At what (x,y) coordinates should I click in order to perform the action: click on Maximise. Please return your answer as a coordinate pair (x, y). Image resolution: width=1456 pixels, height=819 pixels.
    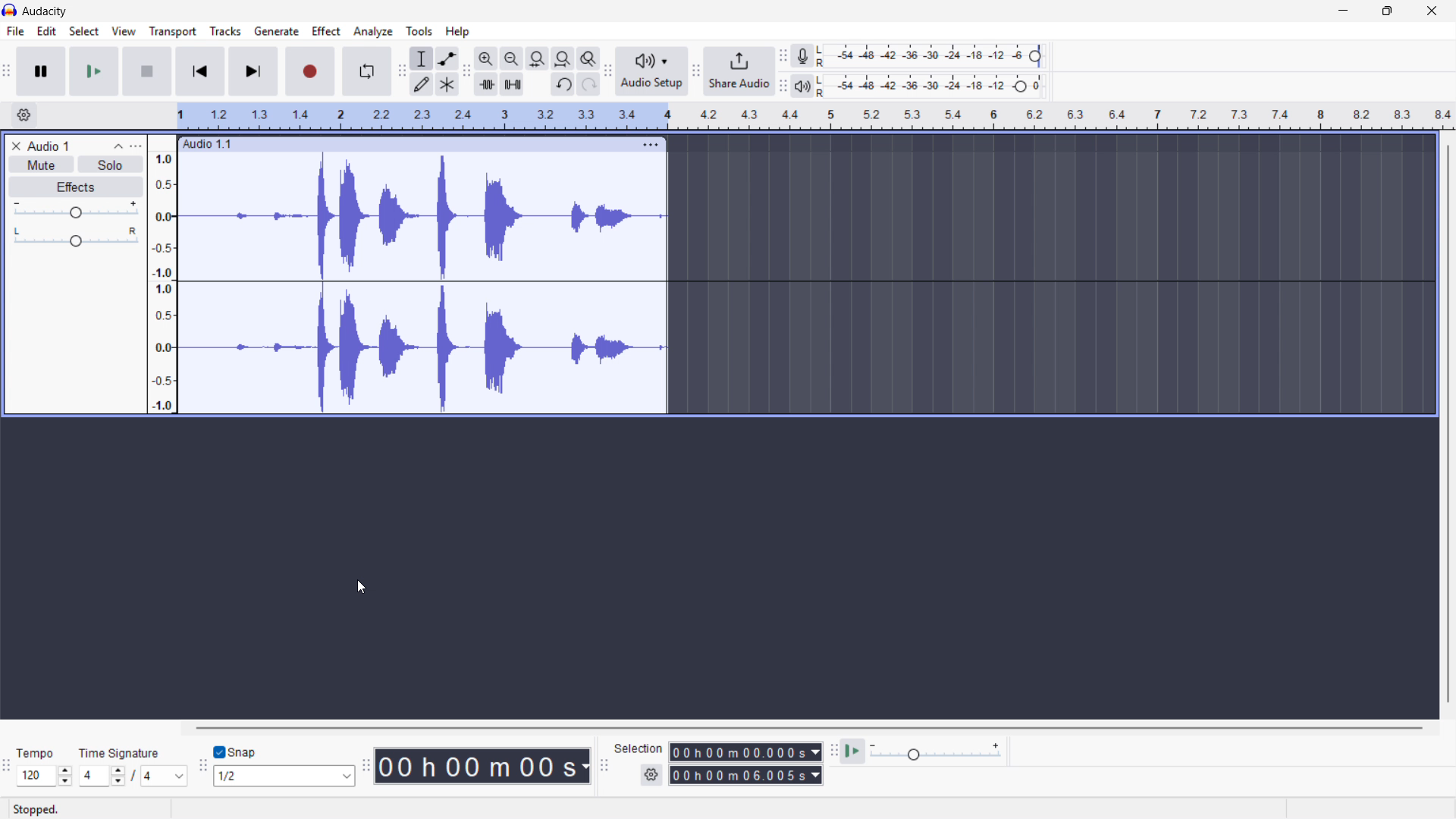
    Looking at the image, I should click on (1389, 11).